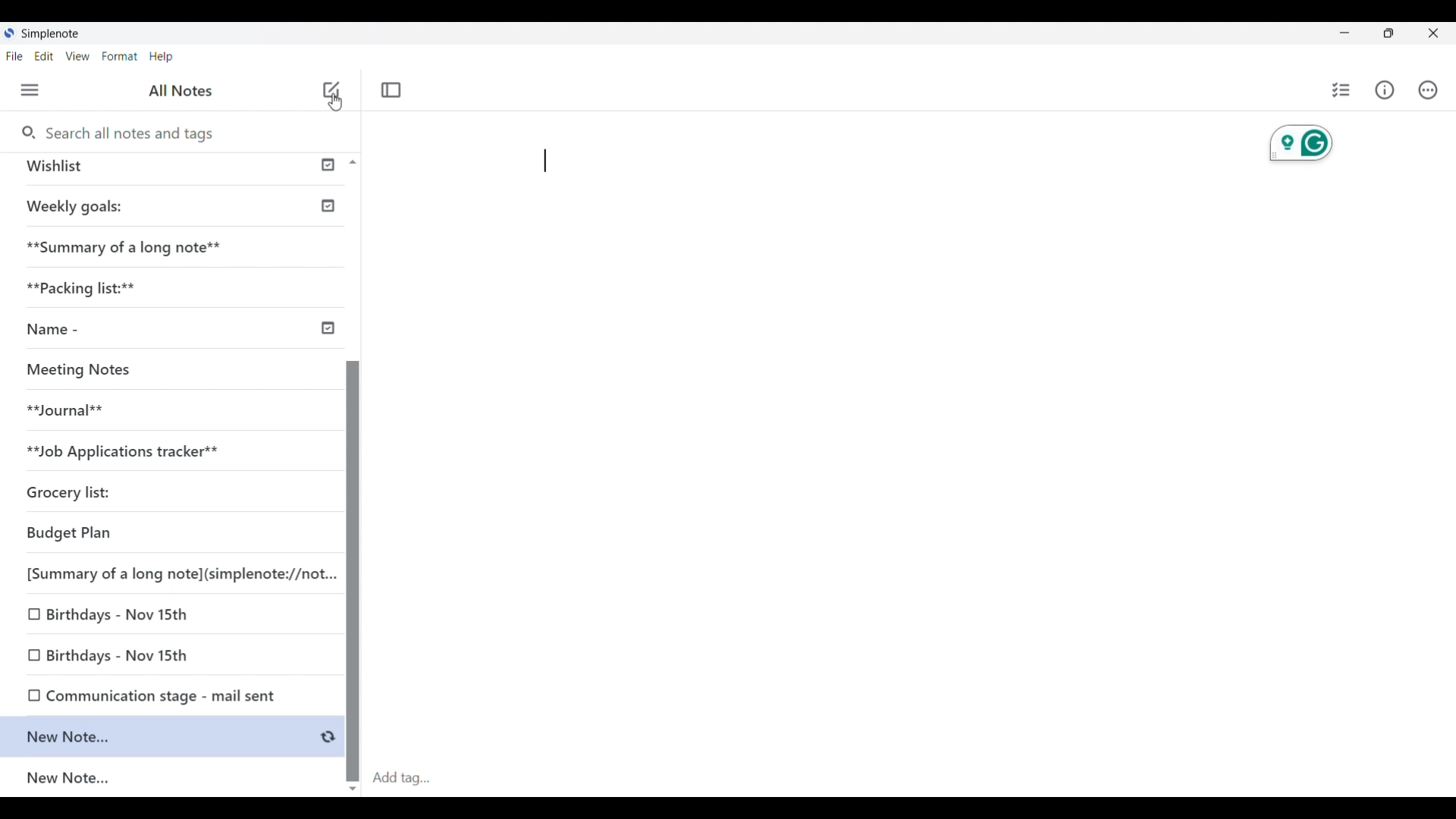 This screenshot has height=819, width=1456. I want to click on [Summary of a long note](simplenote://not..., so click(171, 571).